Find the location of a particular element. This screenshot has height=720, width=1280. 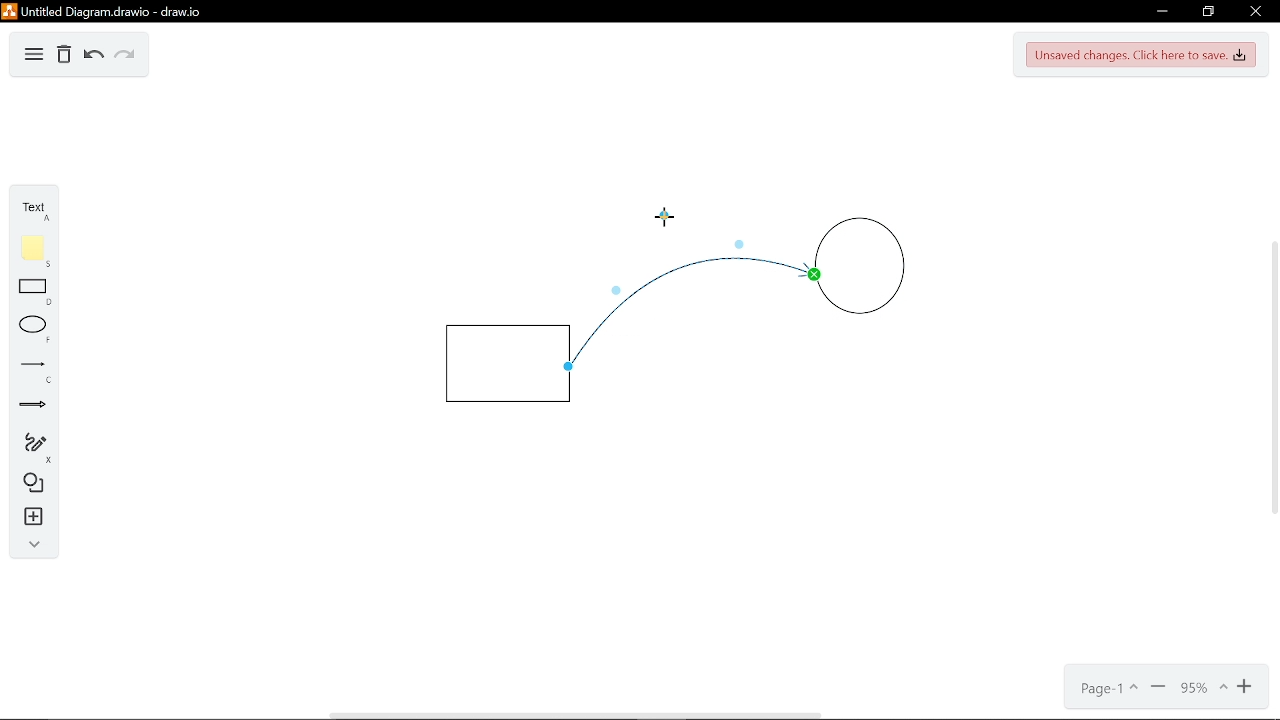

Circle is located at coordinates (860, 273).